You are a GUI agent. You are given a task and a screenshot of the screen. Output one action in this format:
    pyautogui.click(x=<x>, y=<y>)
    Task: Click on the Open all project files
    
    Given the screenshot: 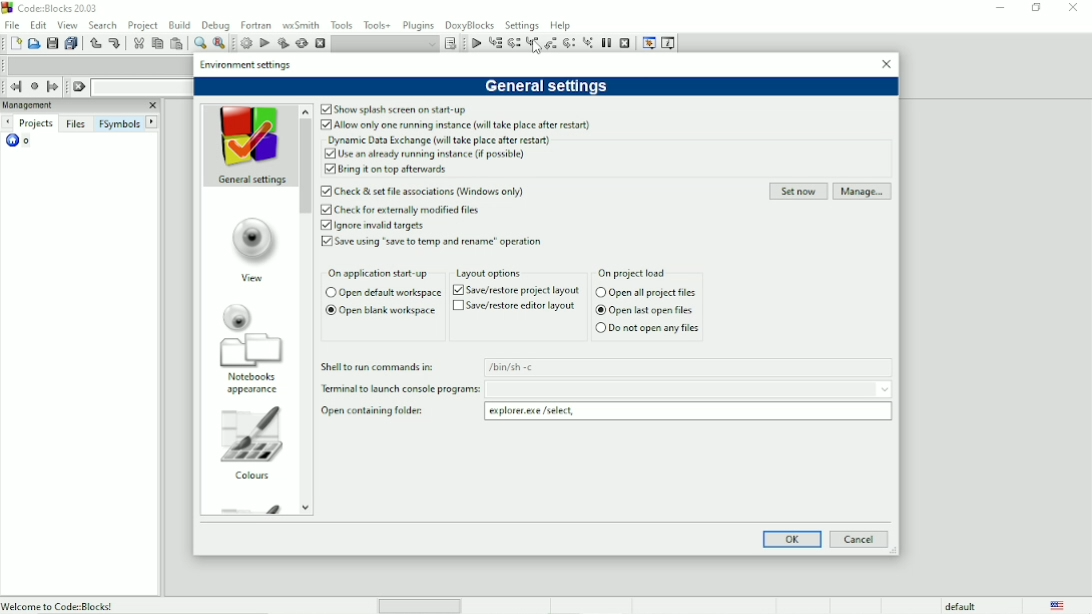 What is the action you would take?
    pyautogui.click(x=645, y=292)
    